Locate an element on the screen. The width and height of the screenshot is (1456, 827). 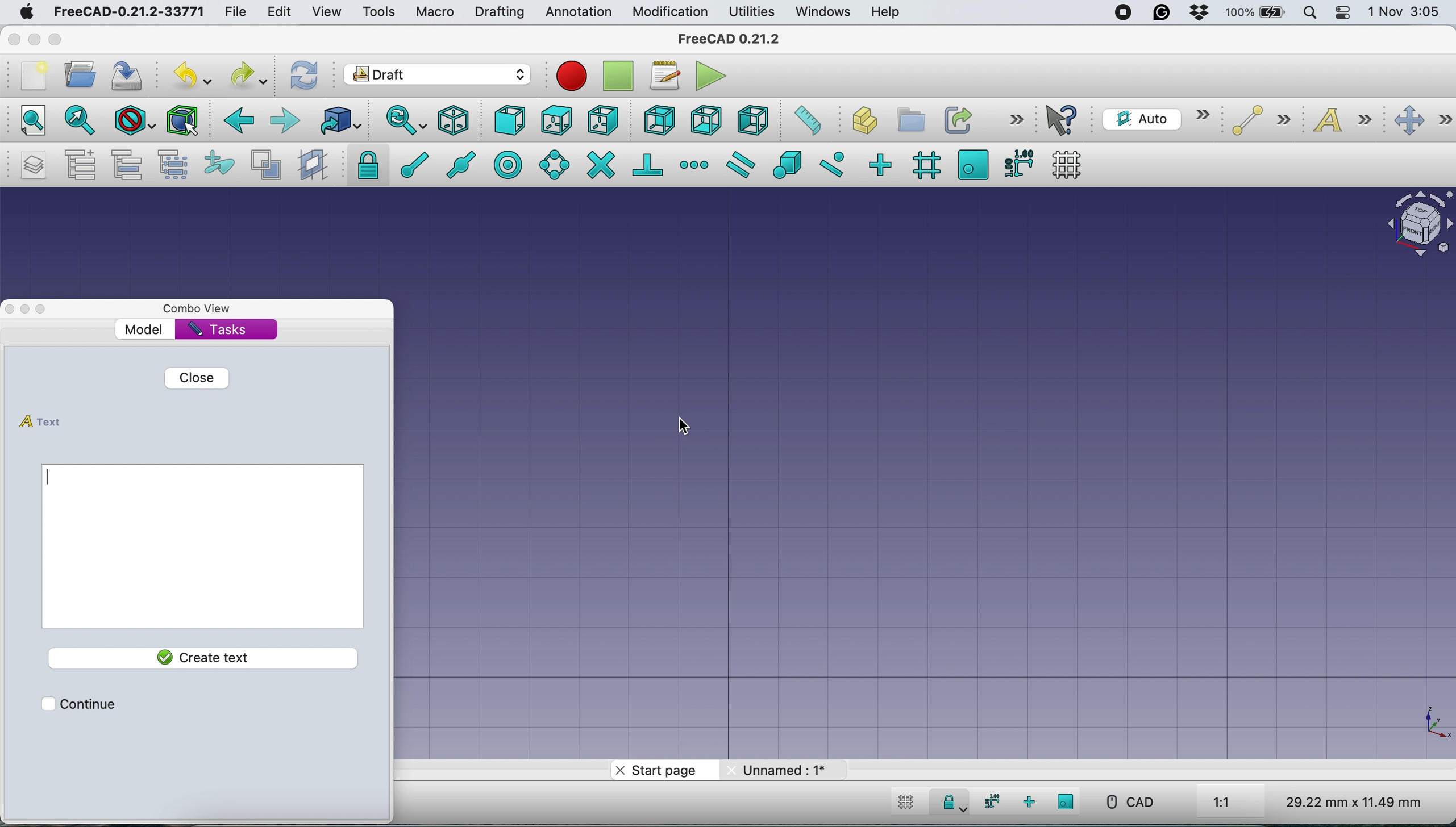
top is located at coordinates (556, 119).